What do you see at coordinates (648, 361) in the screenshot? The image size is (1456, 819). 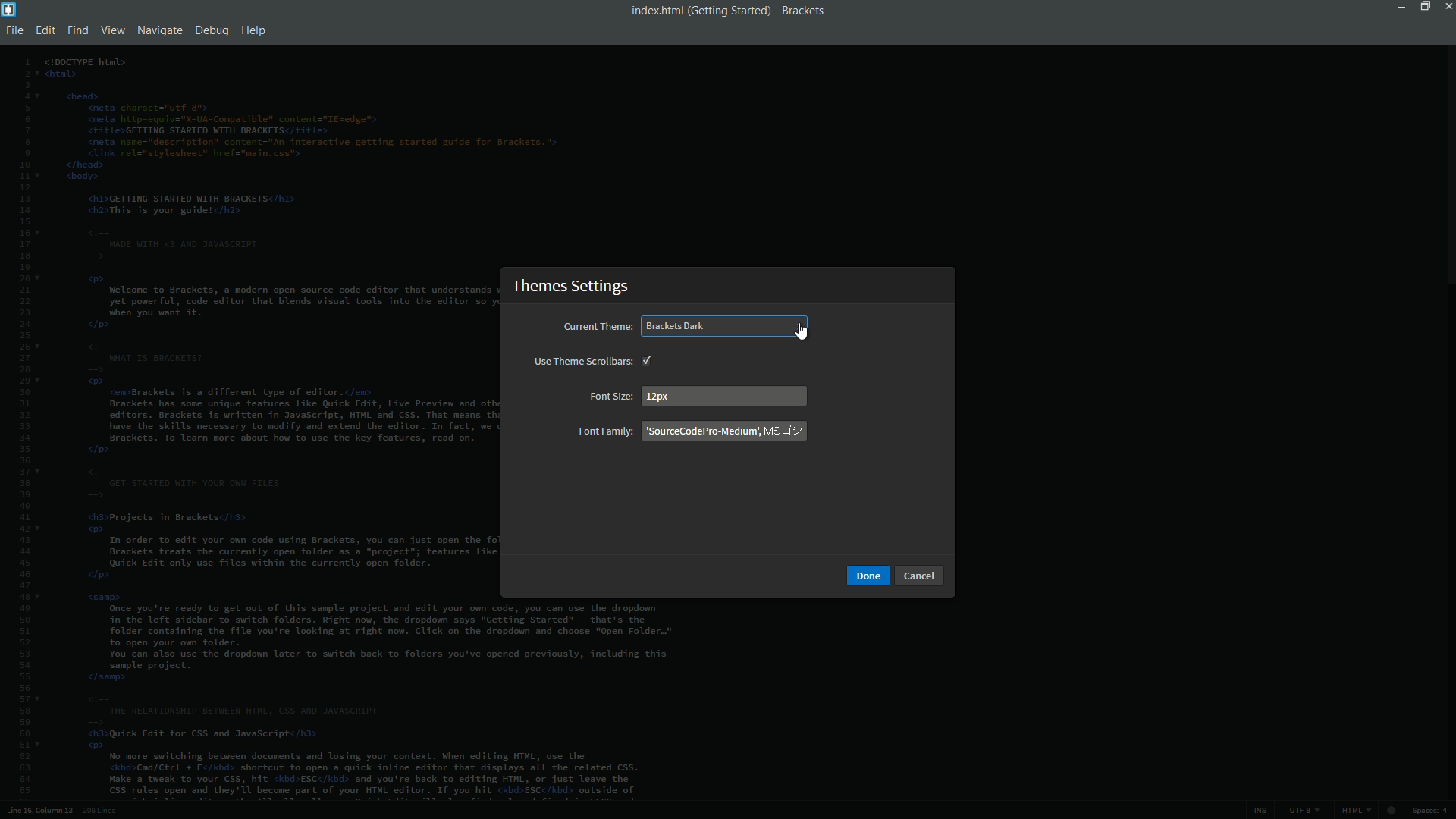 I see `check` at bounding box center [648, 361].